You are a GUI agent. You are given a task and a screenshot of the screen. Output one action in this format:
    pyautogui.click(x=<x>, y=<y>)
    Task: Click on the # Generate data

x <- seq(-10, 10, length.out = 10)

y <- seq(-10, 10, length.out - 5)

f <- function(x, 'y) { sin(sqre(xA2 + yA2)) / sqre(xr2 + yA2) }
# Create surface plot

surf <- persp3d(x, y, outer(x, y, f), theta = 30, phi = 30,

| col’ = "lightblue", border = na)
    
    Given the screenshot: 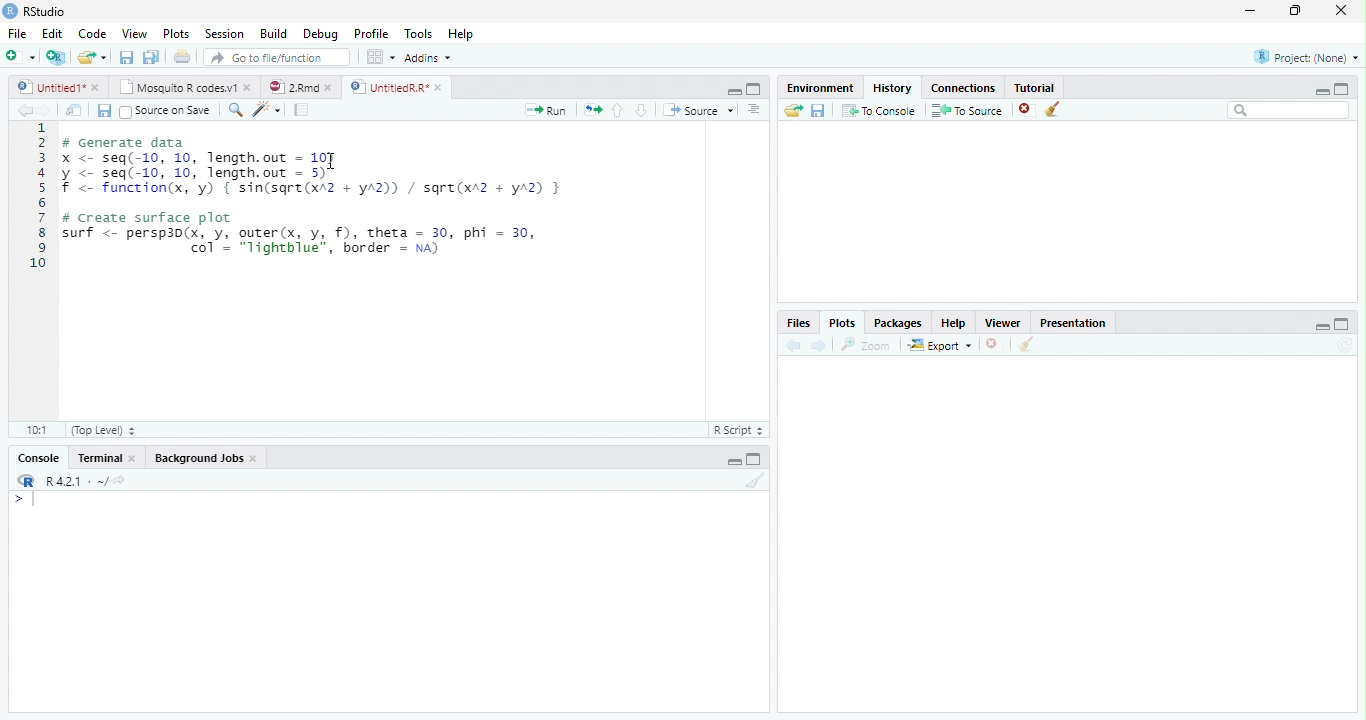 What is the action you would take?
    pyautogui.click(x=317, y=204)
    